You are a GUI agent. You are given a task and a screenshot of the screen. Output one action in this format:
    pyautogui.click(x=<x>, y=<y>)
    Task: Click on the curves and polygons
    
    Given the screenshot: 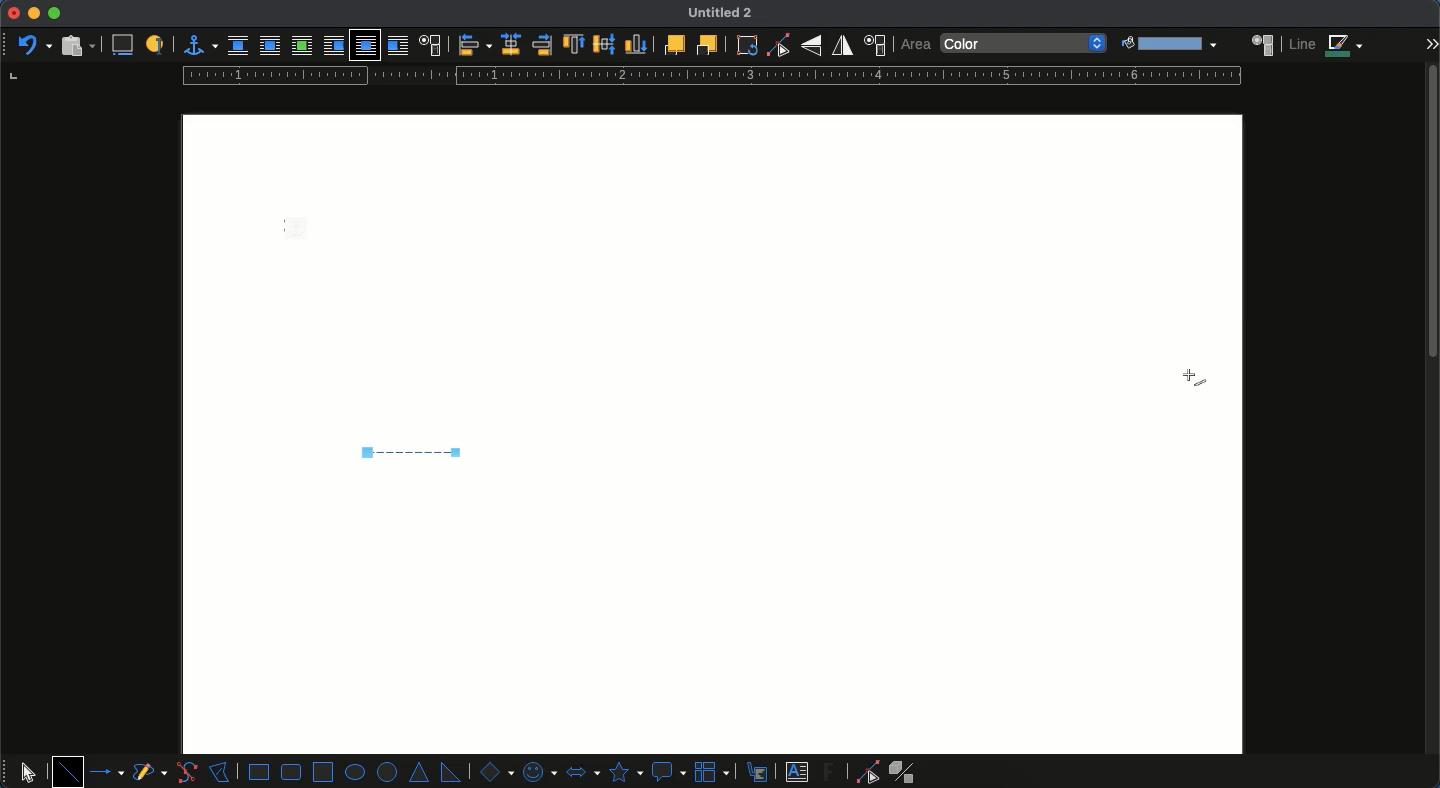 What is the action you would take?
    pyautogui.click(x=150, y=773)
    